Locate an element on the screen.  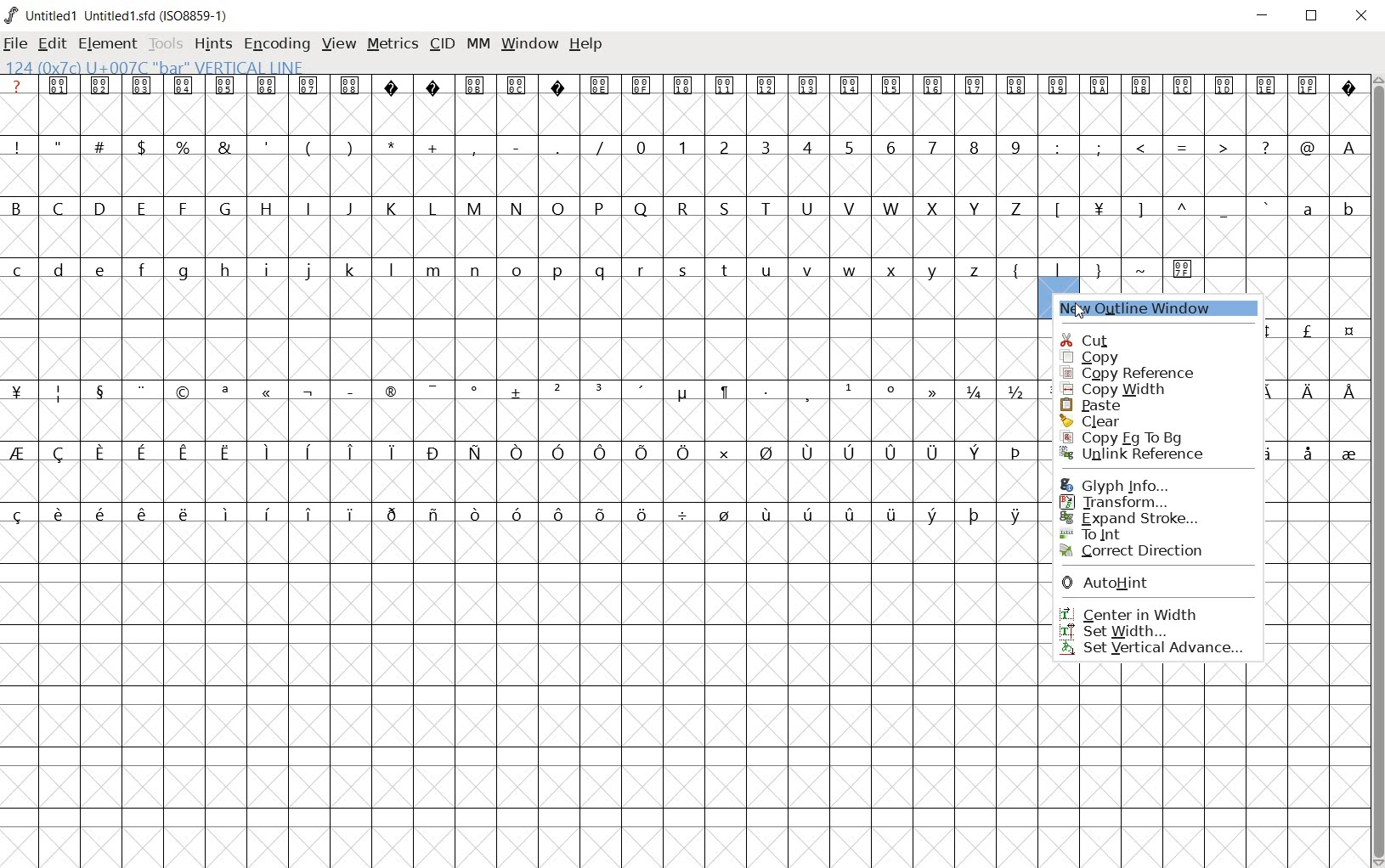
empty cells is located at coordinates (1317, 419).